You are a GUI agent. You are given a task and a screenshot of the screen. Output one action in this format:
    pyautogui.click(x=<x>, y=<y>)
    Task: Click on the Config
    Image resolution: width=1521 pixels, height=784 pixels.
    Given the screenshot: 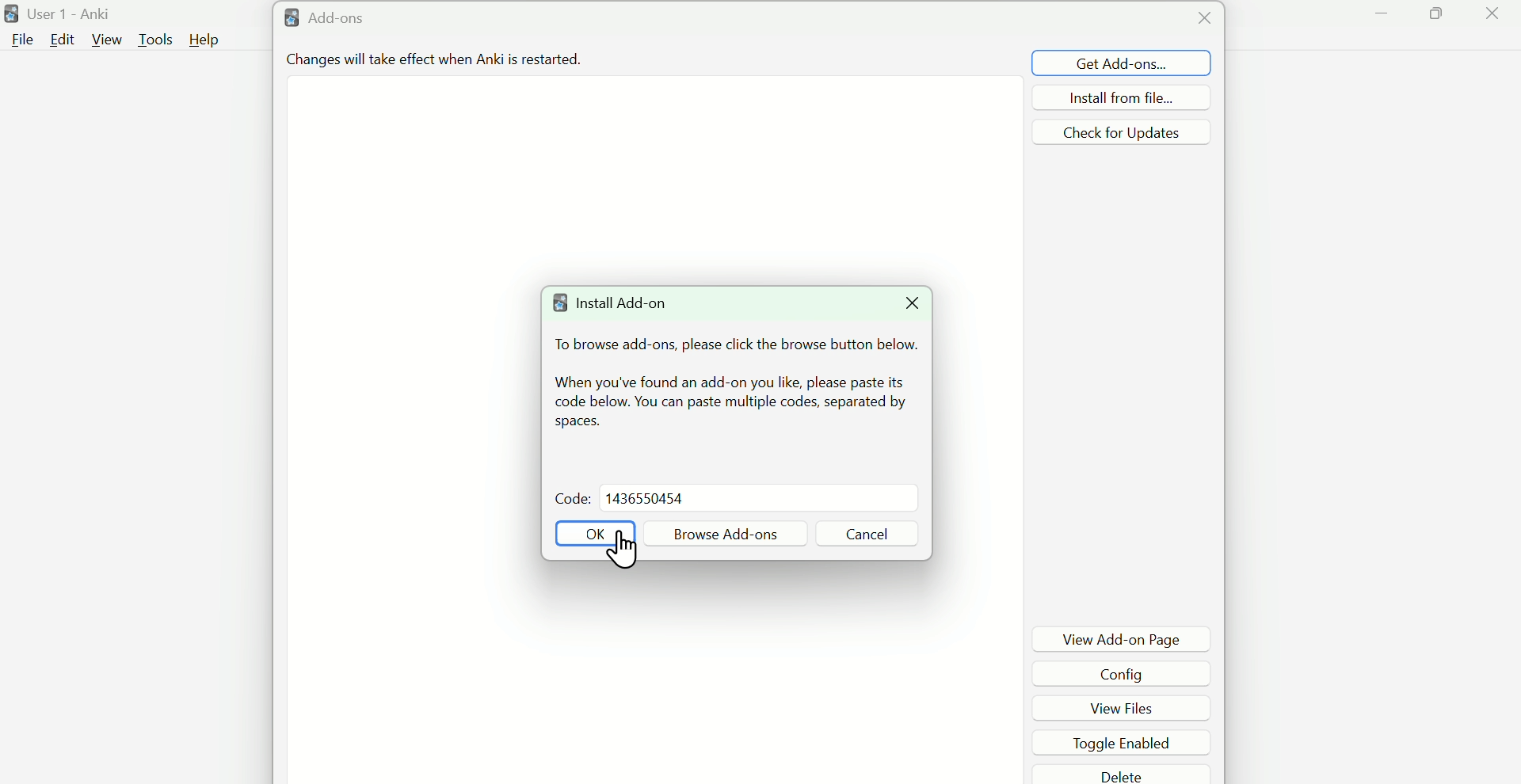 What is the action you would take?
    pyautogui.click(x=1127, y=673)
    